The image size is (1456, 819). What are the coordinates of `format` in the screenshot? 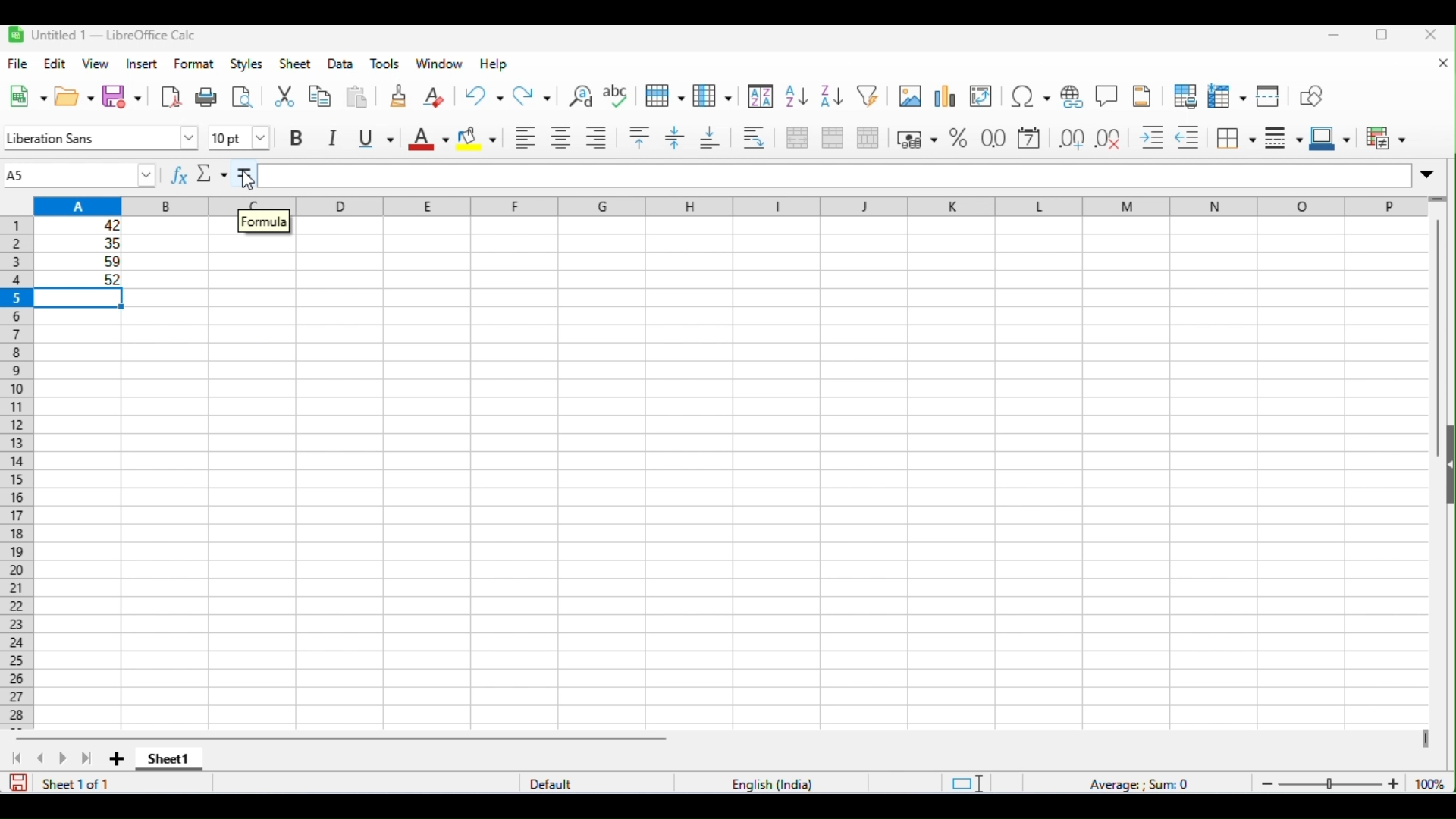 It's located at (194, 64).